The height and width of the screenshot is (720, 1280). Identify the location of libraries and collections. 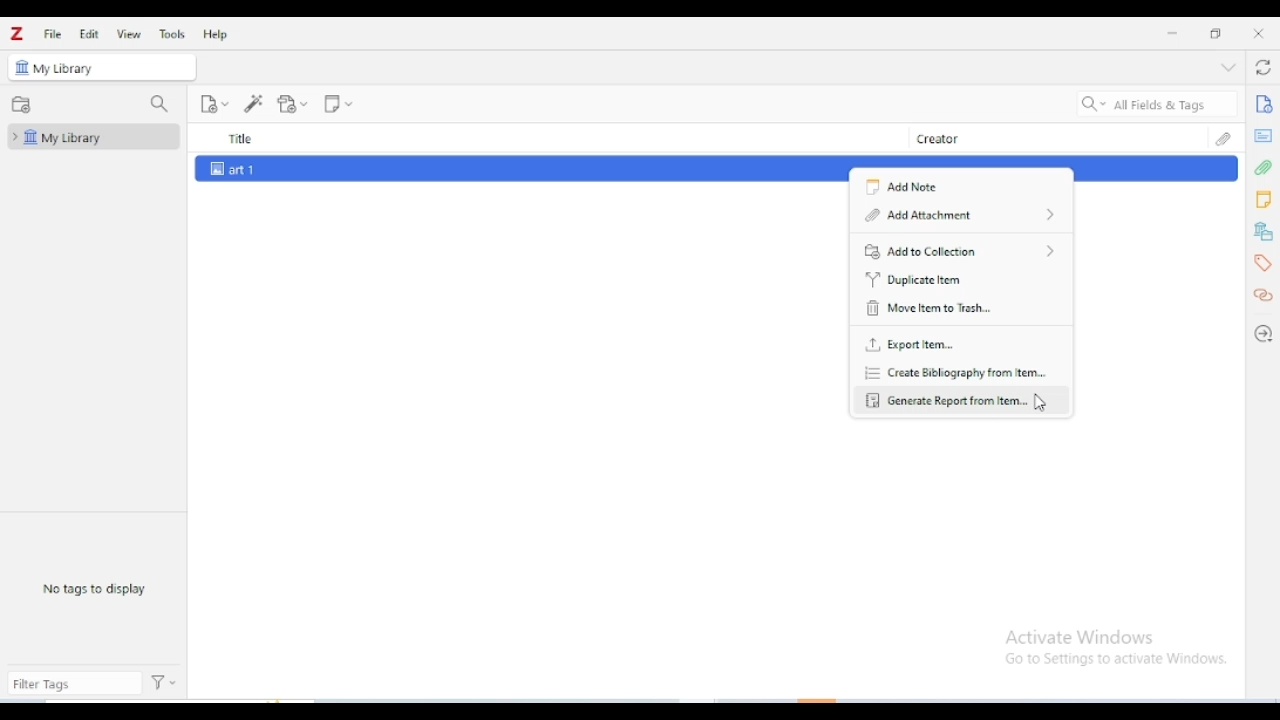
(1264, 232).